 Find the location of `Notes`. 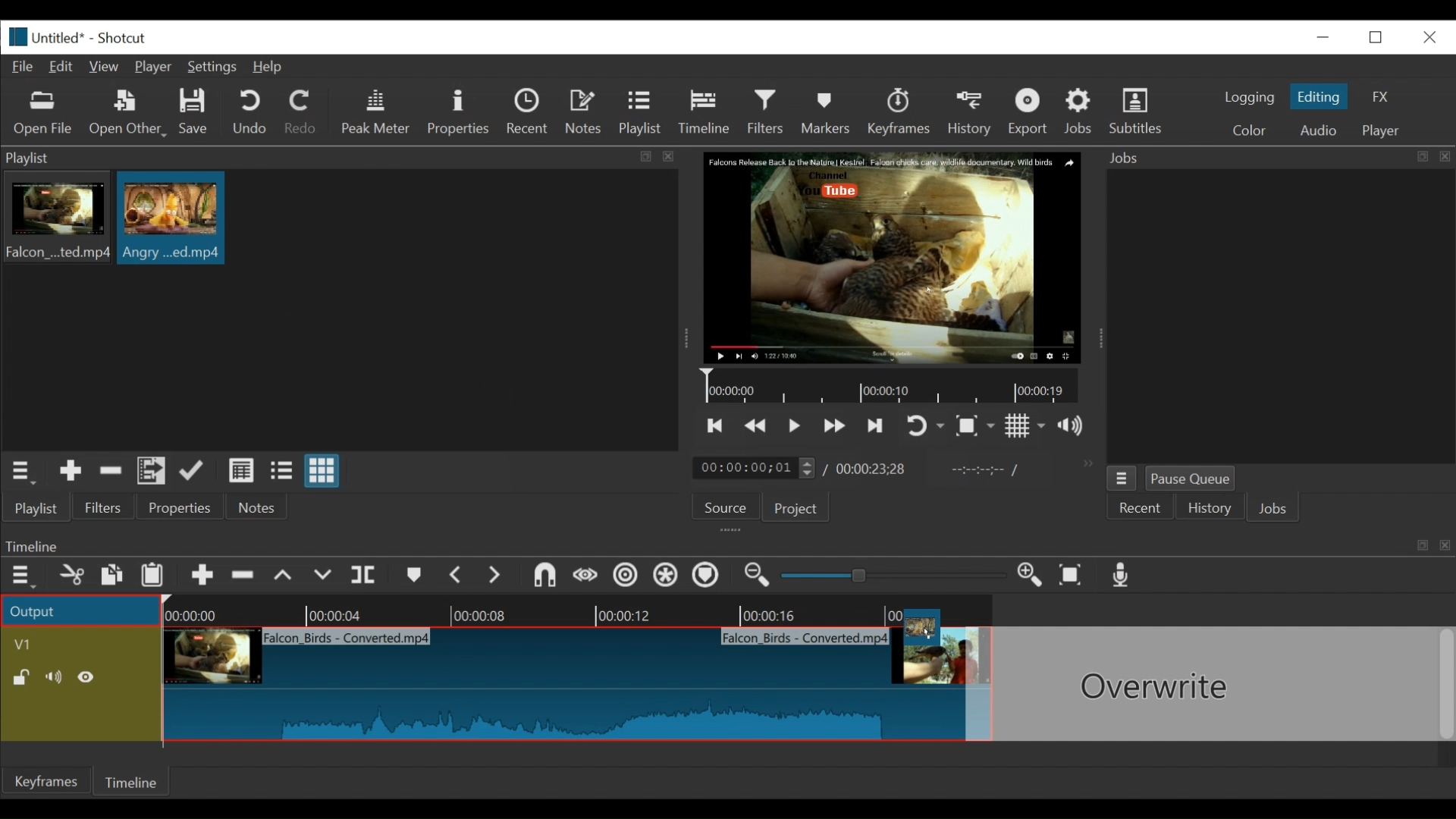

Notes is located at coordinates (586, 112).